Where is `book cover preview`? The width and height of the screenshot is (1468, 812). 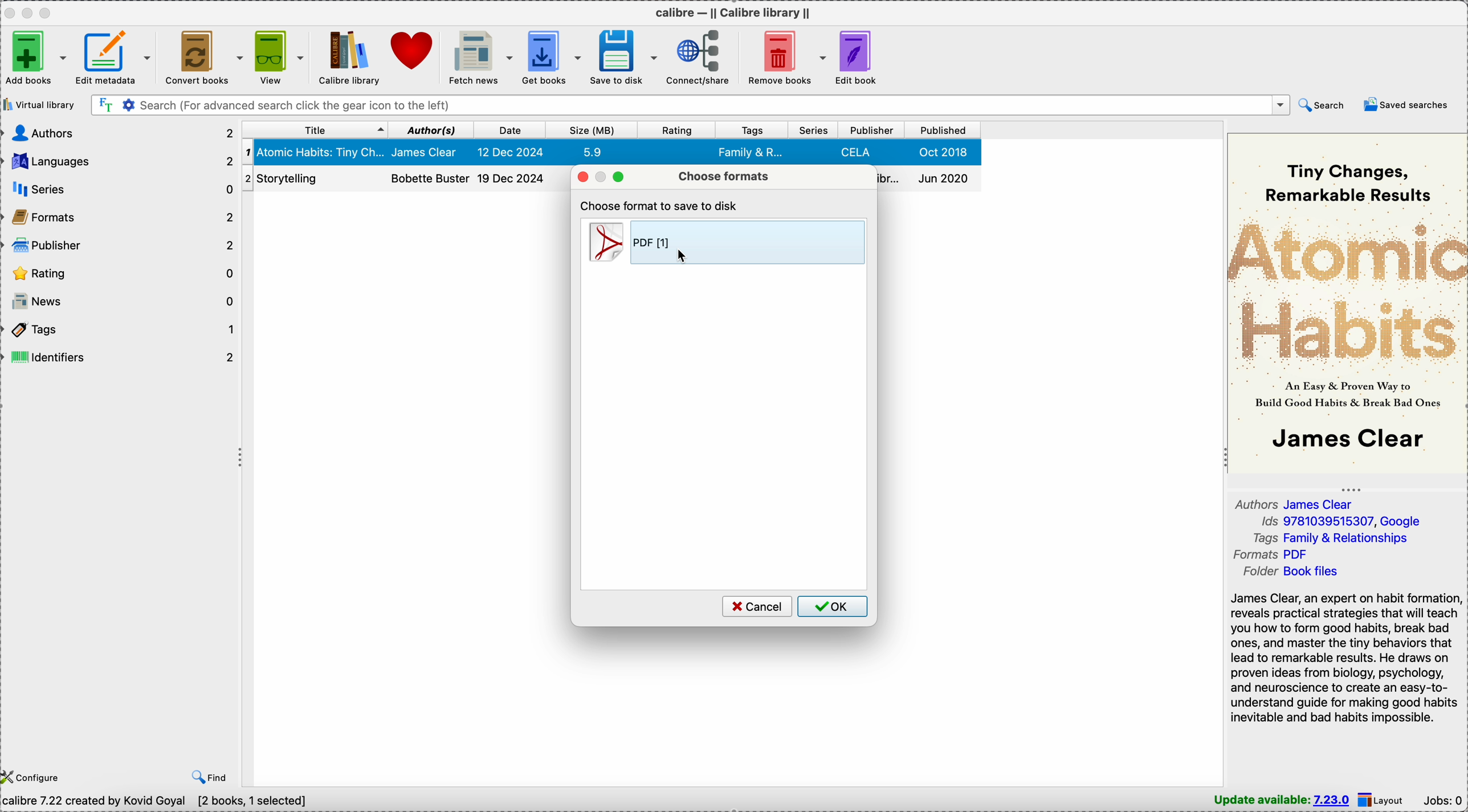
book cover preview is located at coordinates (1346, 303).